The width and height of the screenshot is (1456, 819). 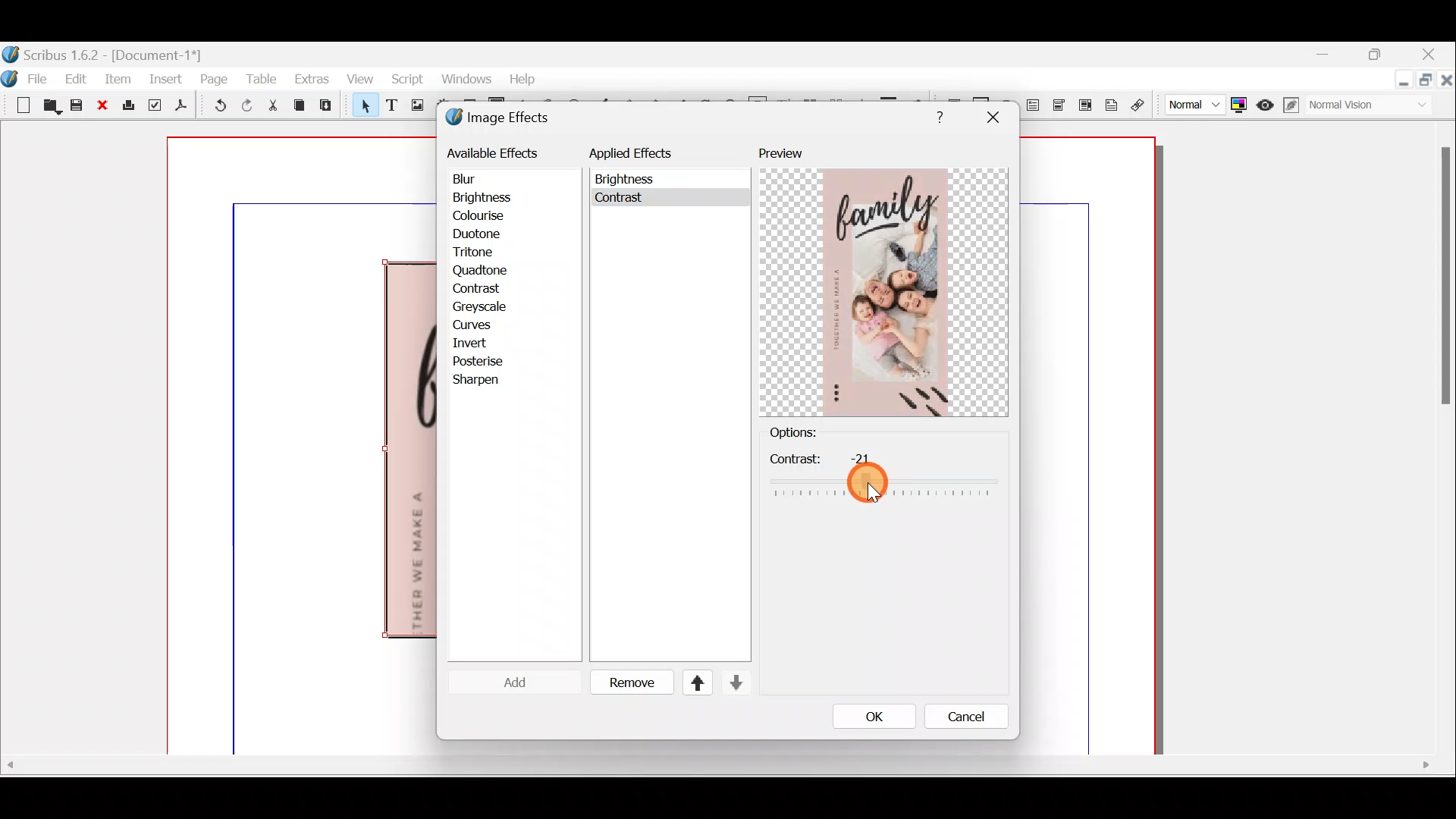 What do you see at coordinates (311, 78) in the screenshot?
I see `Extras` at bounding box center [311, 78].